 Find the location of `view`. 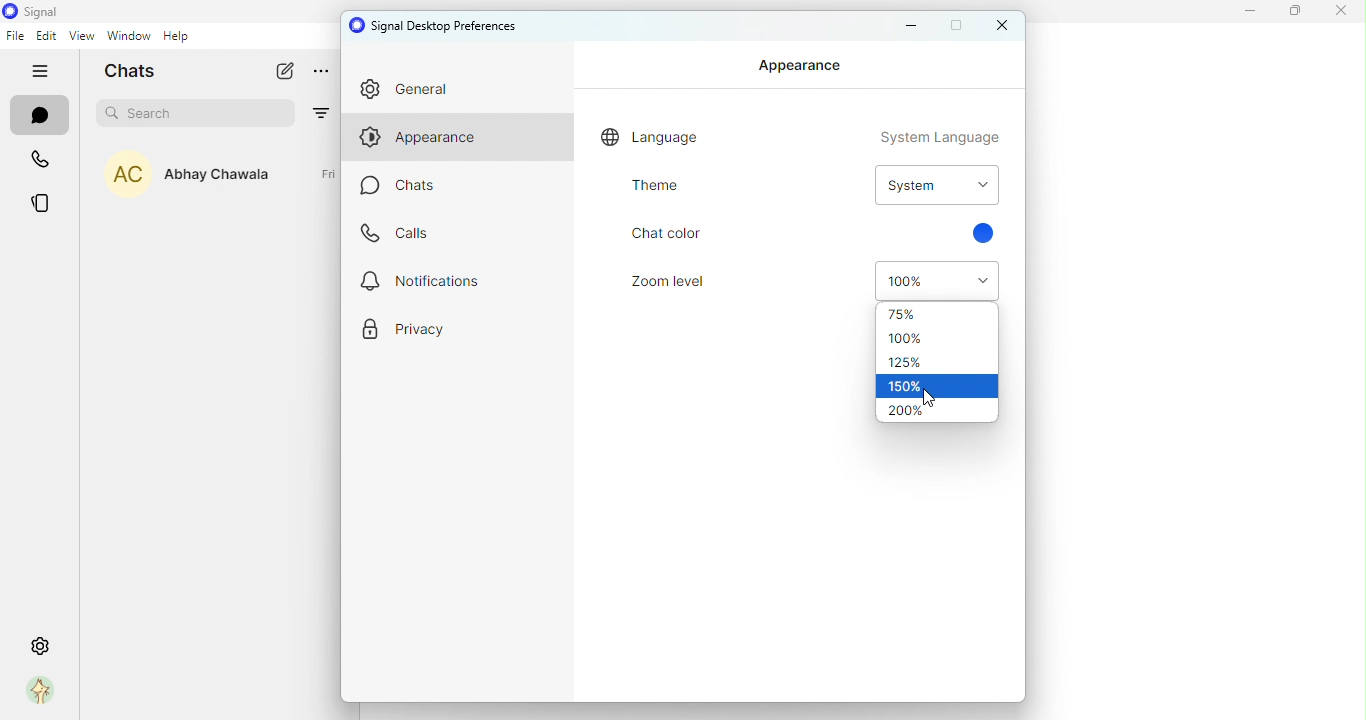

view is located at coordinates (81, 37).